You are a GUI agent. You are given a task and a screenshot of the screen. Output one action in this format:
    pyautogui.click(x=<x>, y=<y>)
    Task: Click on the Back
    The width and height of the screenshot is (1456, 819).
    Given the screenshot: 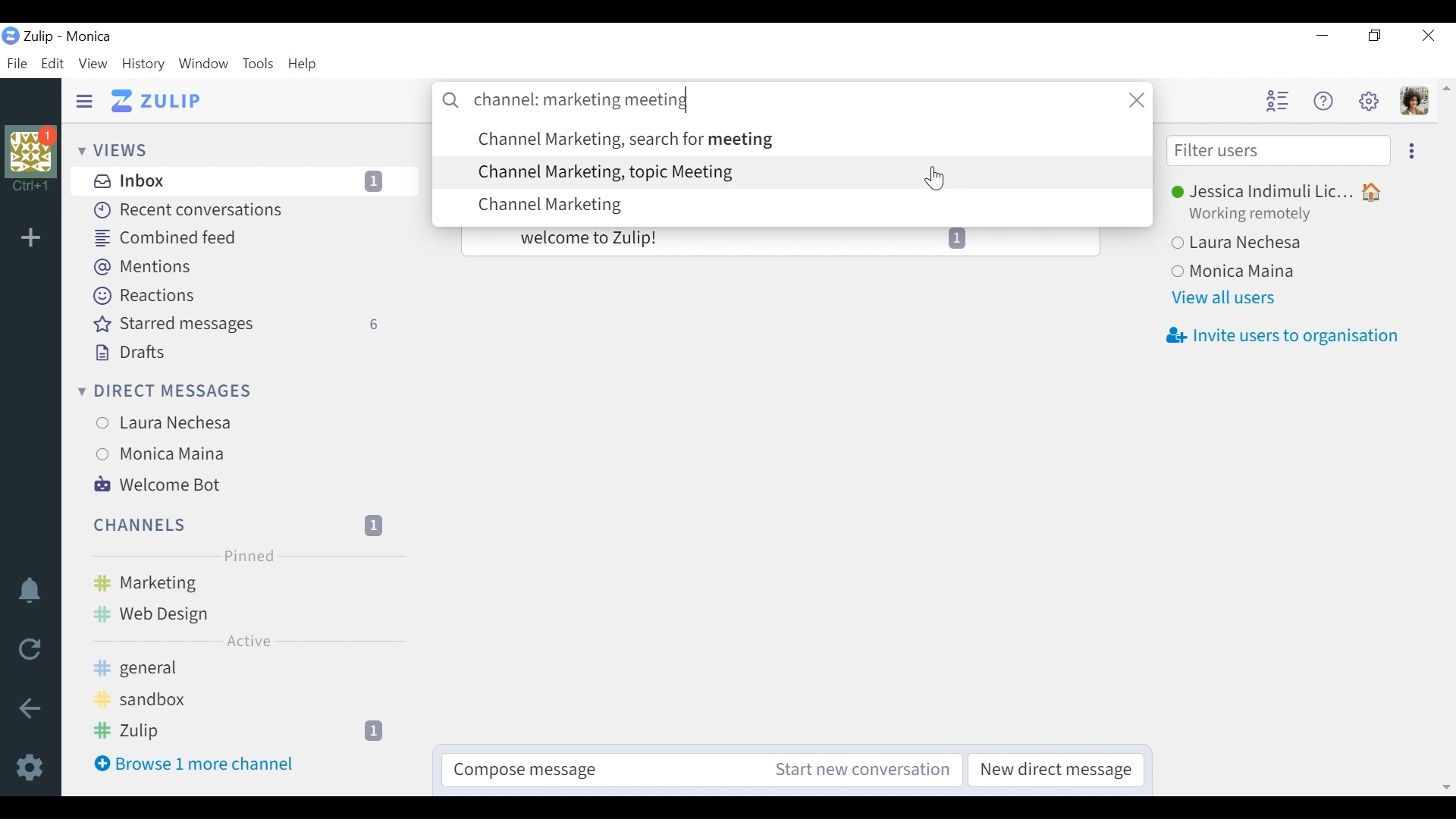 What is the action you would take?
    pyautogui.click(x=28, y=706)
    